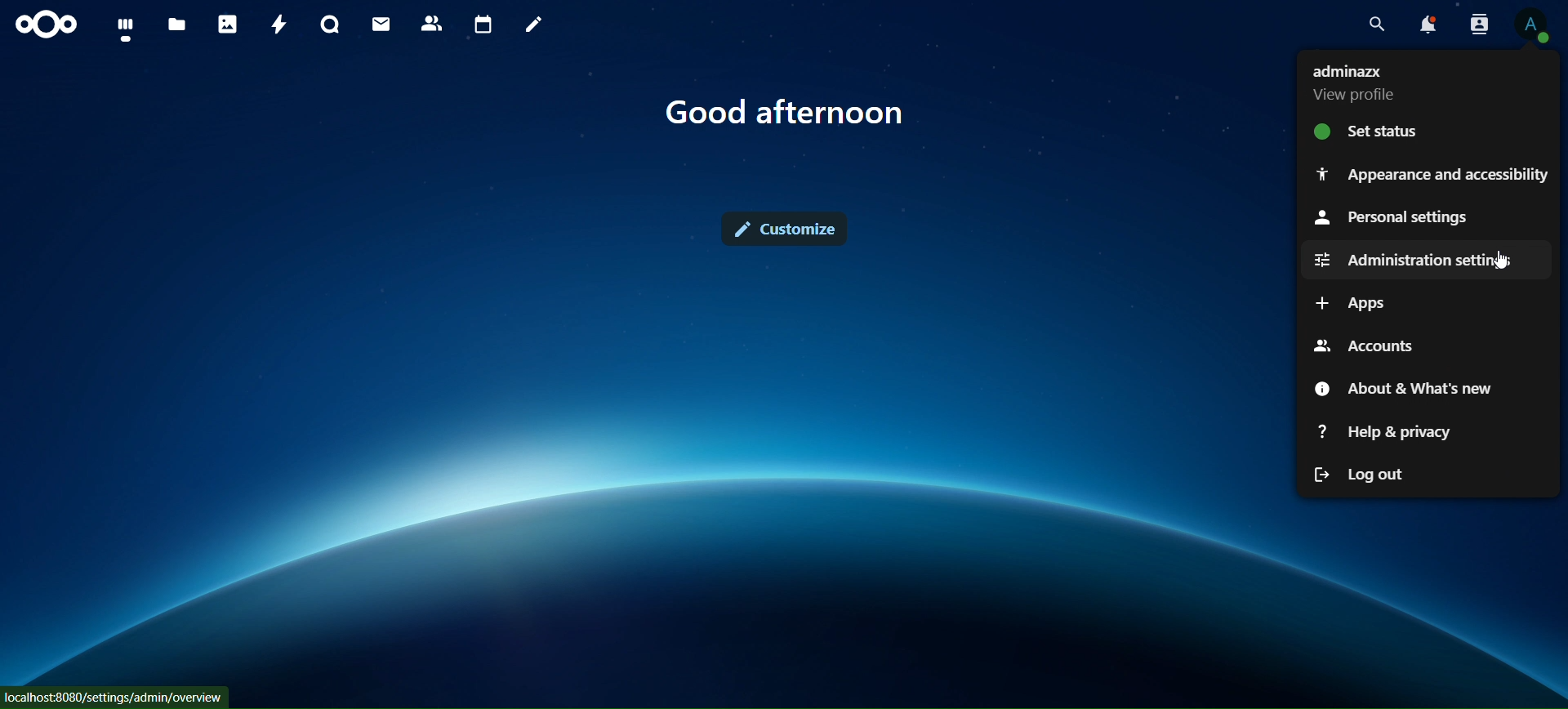 The width and height of the screenshot is (1568, 709). What do you see at coordinates (1356, 82) in the screenshot?
I see `view profile` at bounding box center [1356, 82].